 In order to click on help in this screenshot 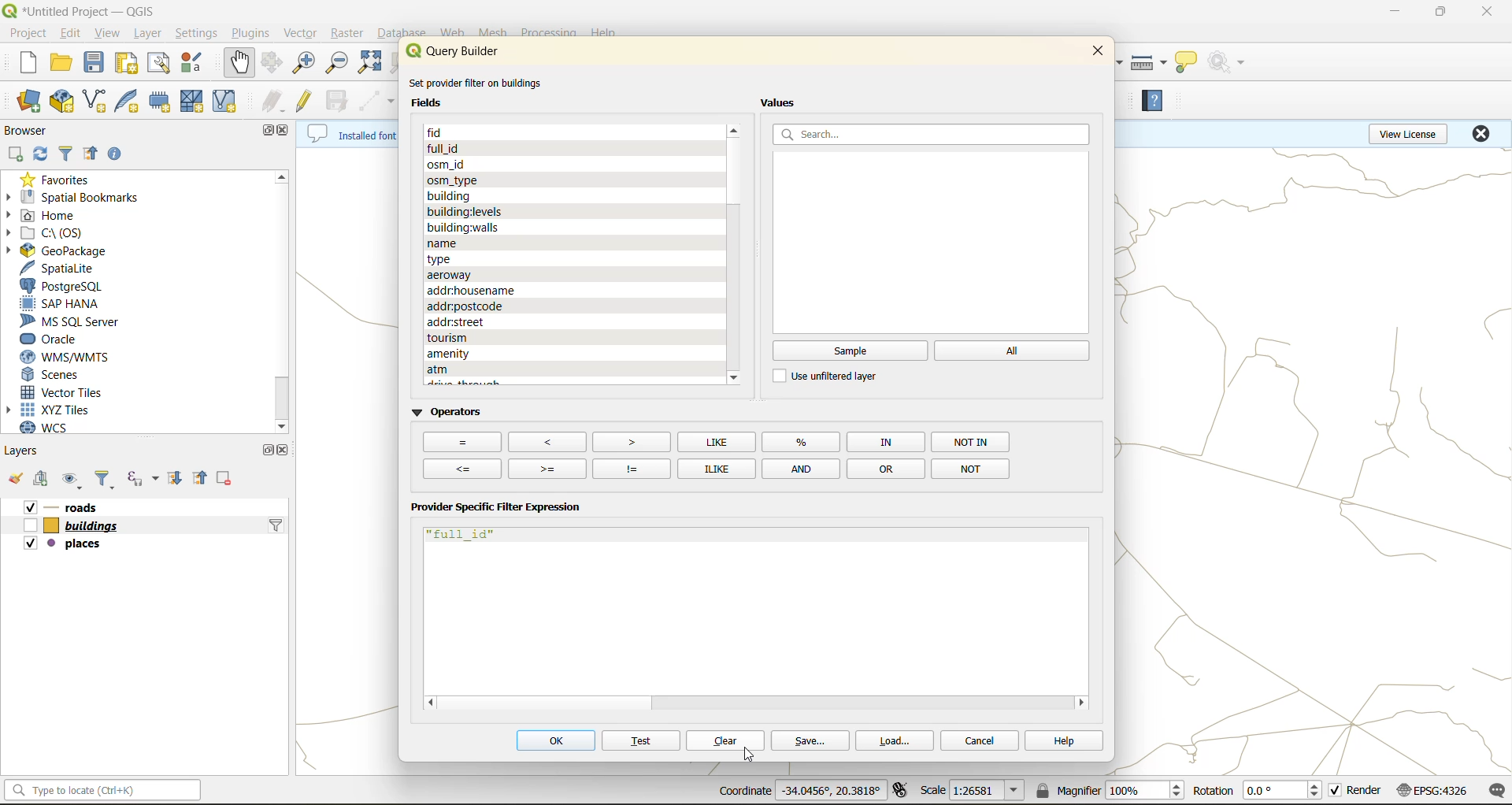, I will do `click(1058, 740)`.